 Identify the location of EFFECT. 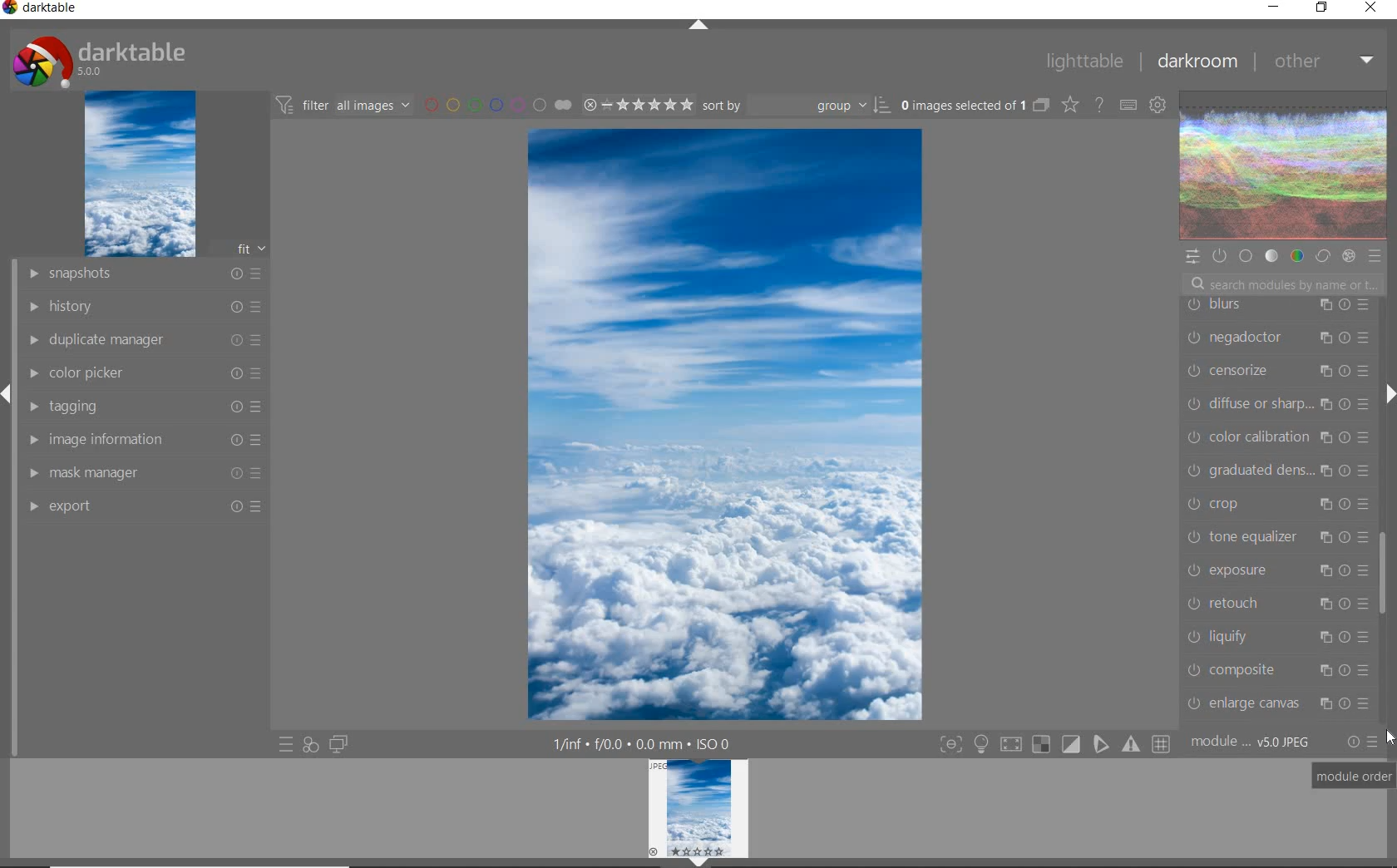
(1349, 256).